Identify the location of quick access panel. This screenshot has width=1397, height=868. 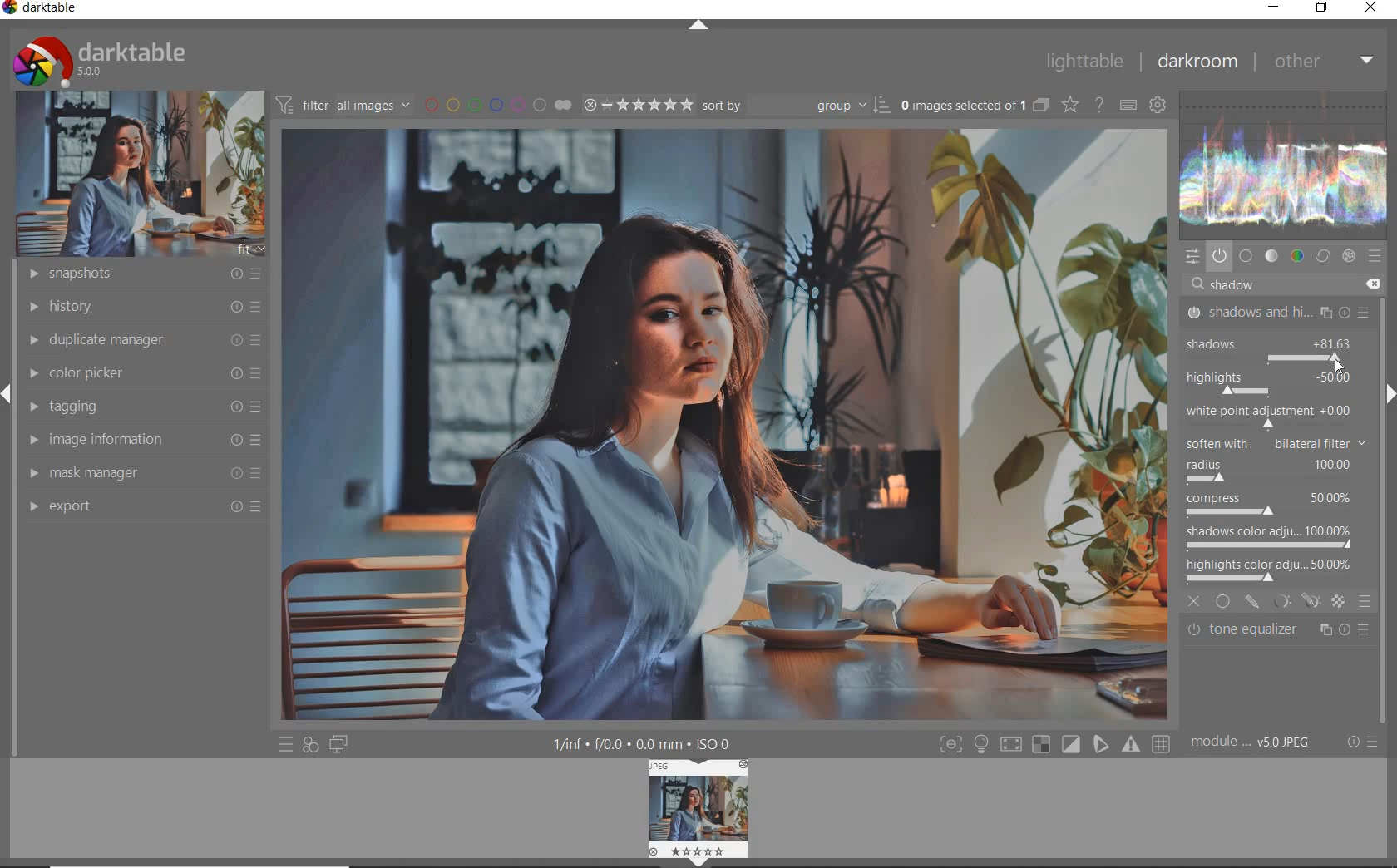
(1194, 258).